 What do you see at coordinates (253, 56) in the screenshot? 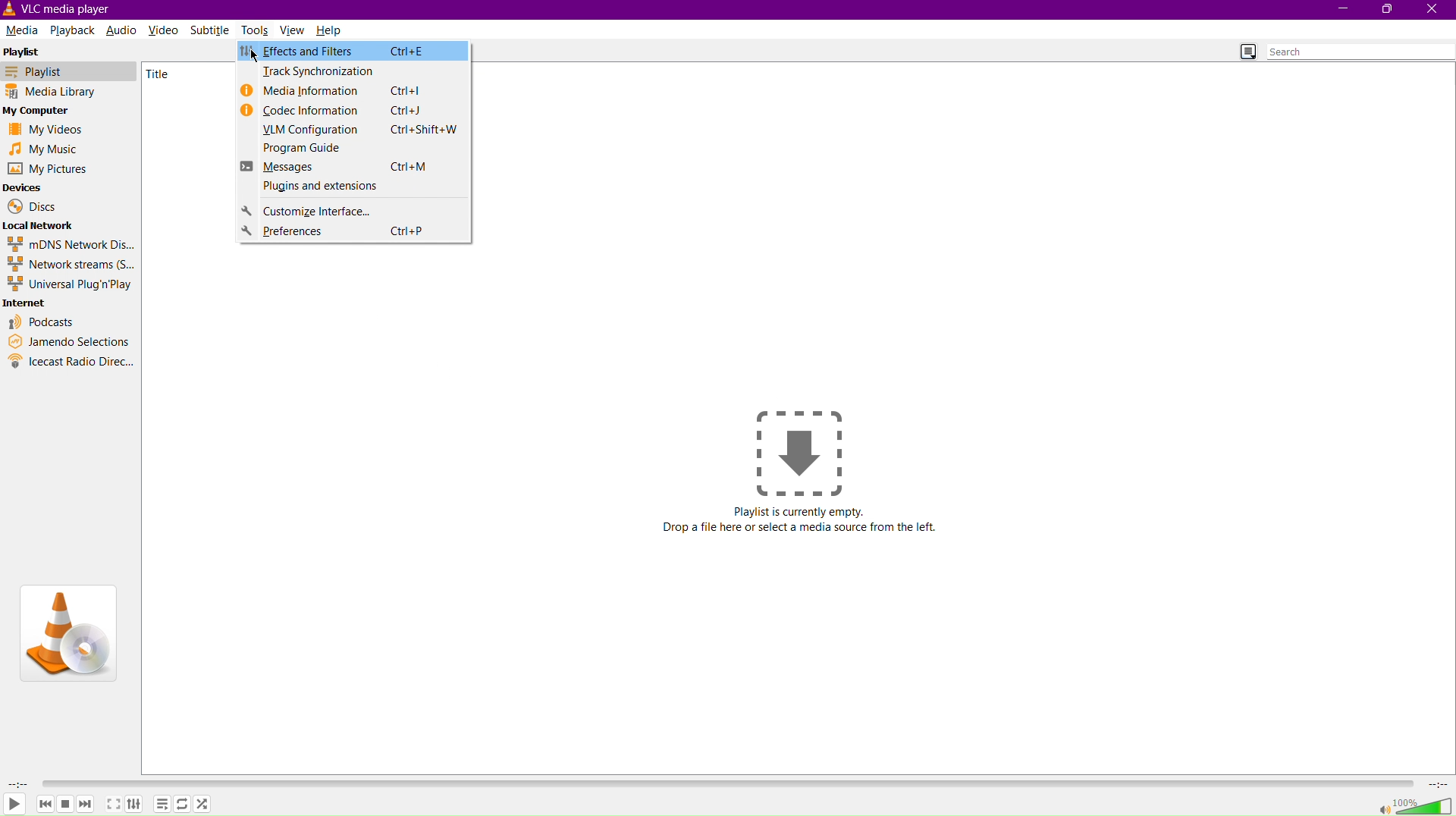
I see `Cursor` at bounding box center [253, 56].